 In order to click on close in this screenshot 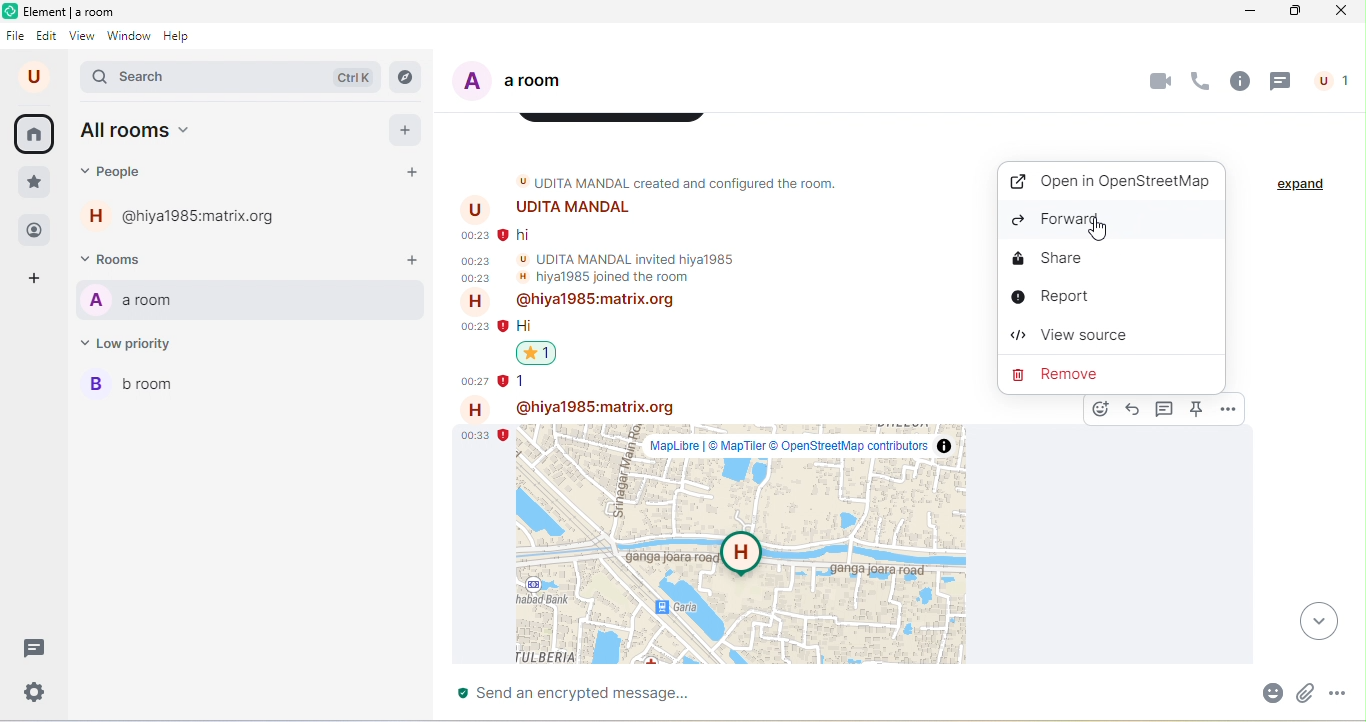, I will do `click(1343, 12)`.